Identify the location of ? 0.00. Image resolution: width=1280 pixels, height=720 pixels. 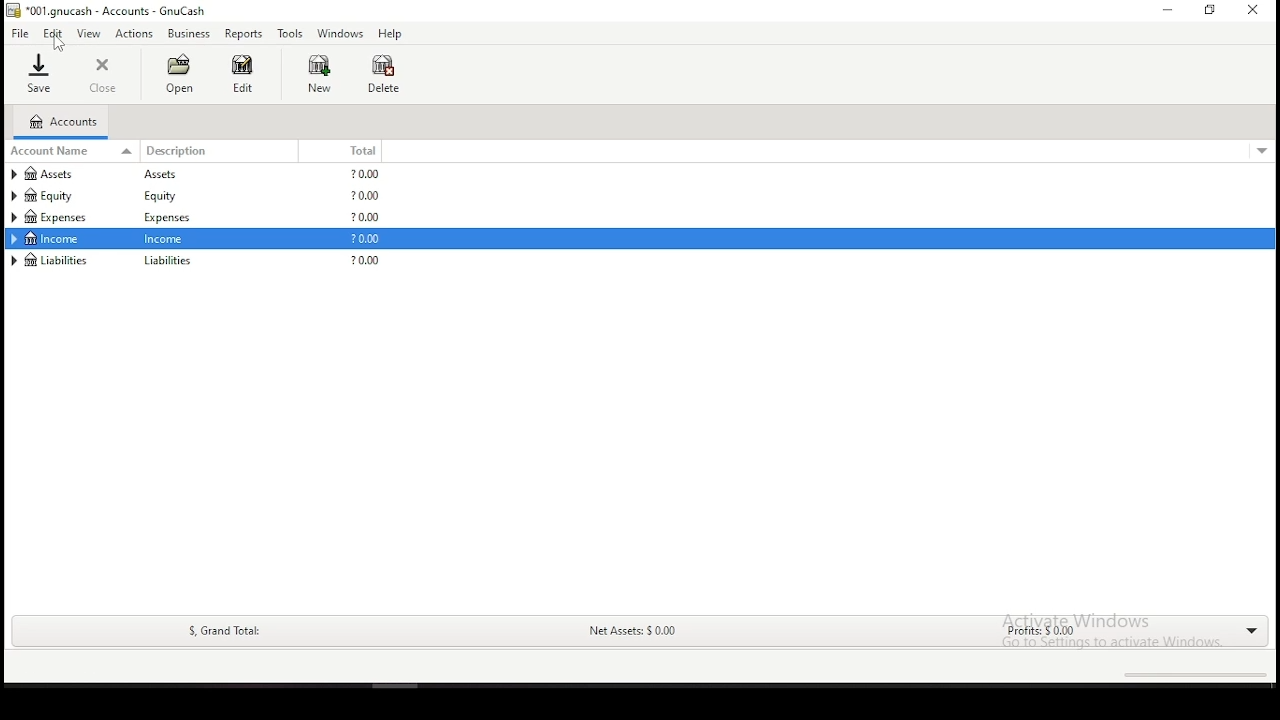
(365, 197).